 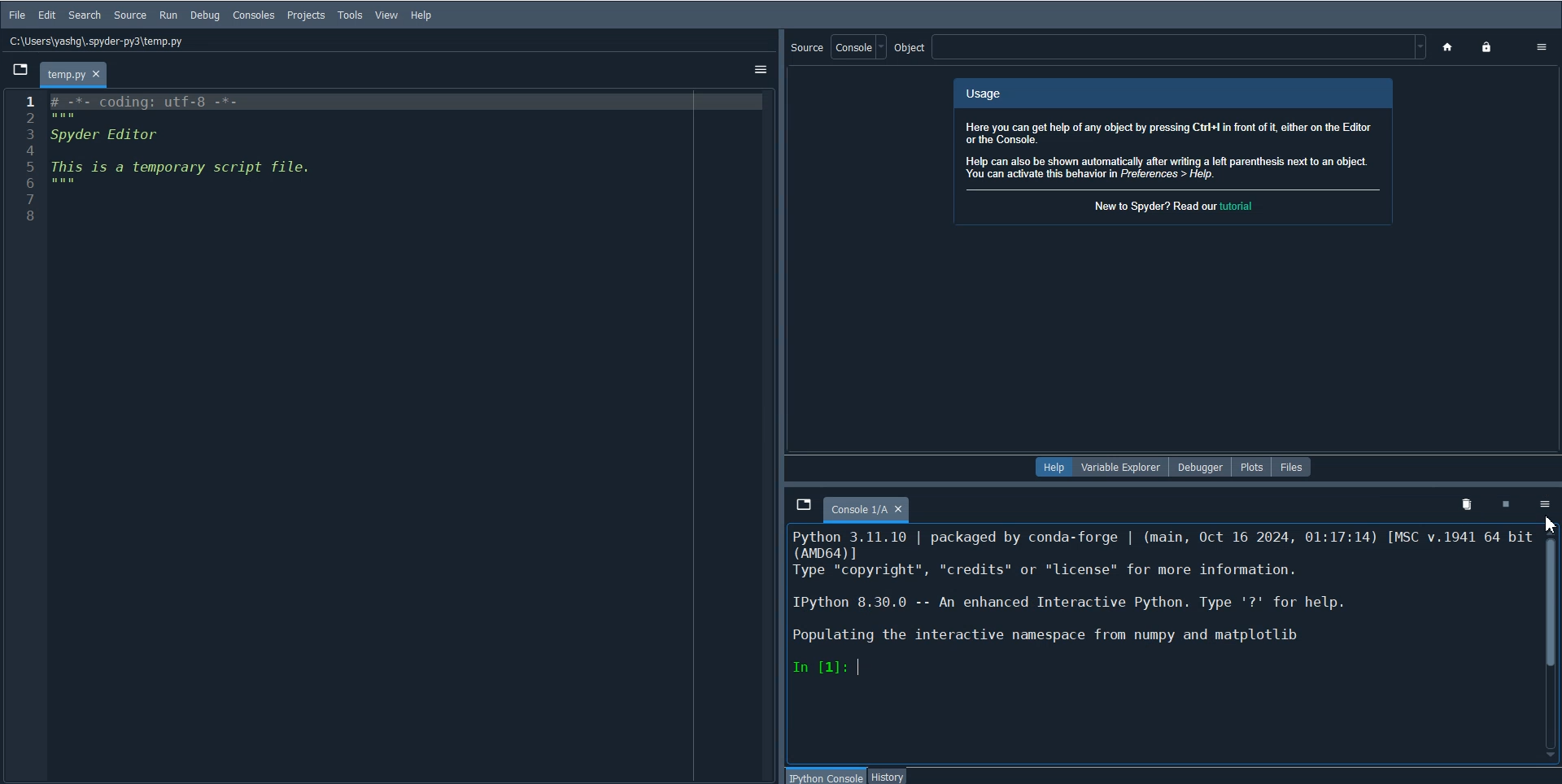 I want to click on Vertical scroll bar, so click(x=1552, y=651).